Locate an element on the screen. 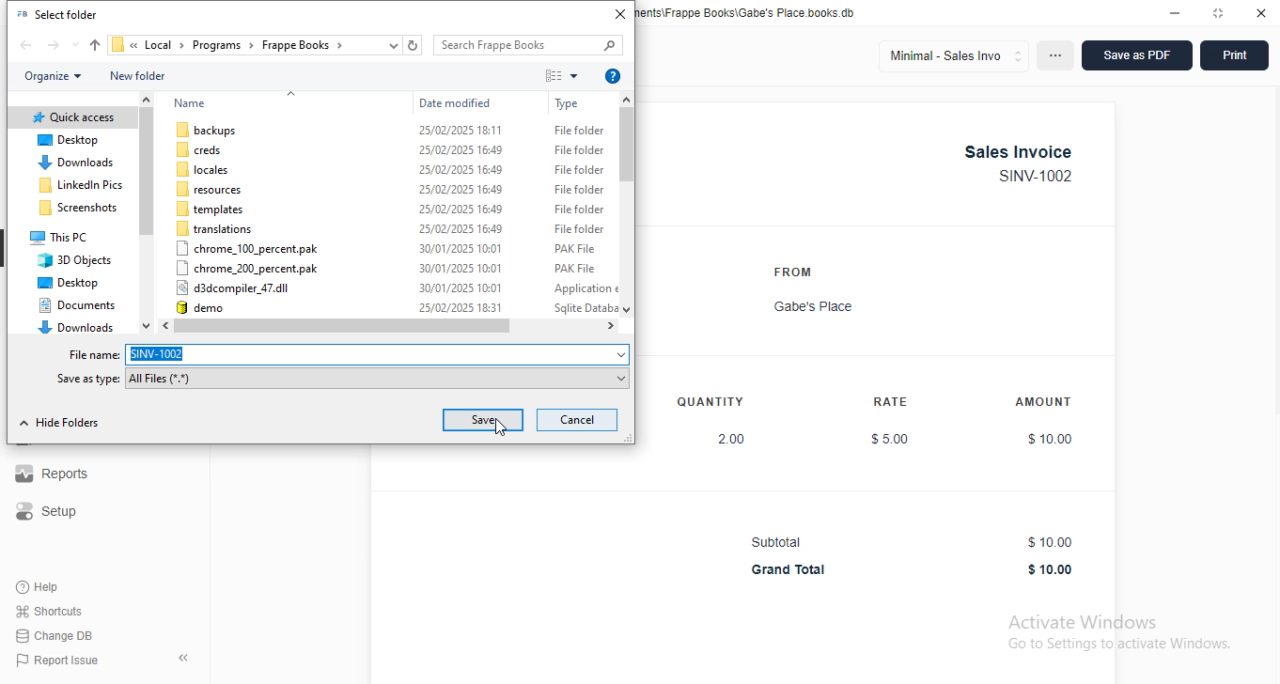  save as PDF is located at coordinates (1137, 55).